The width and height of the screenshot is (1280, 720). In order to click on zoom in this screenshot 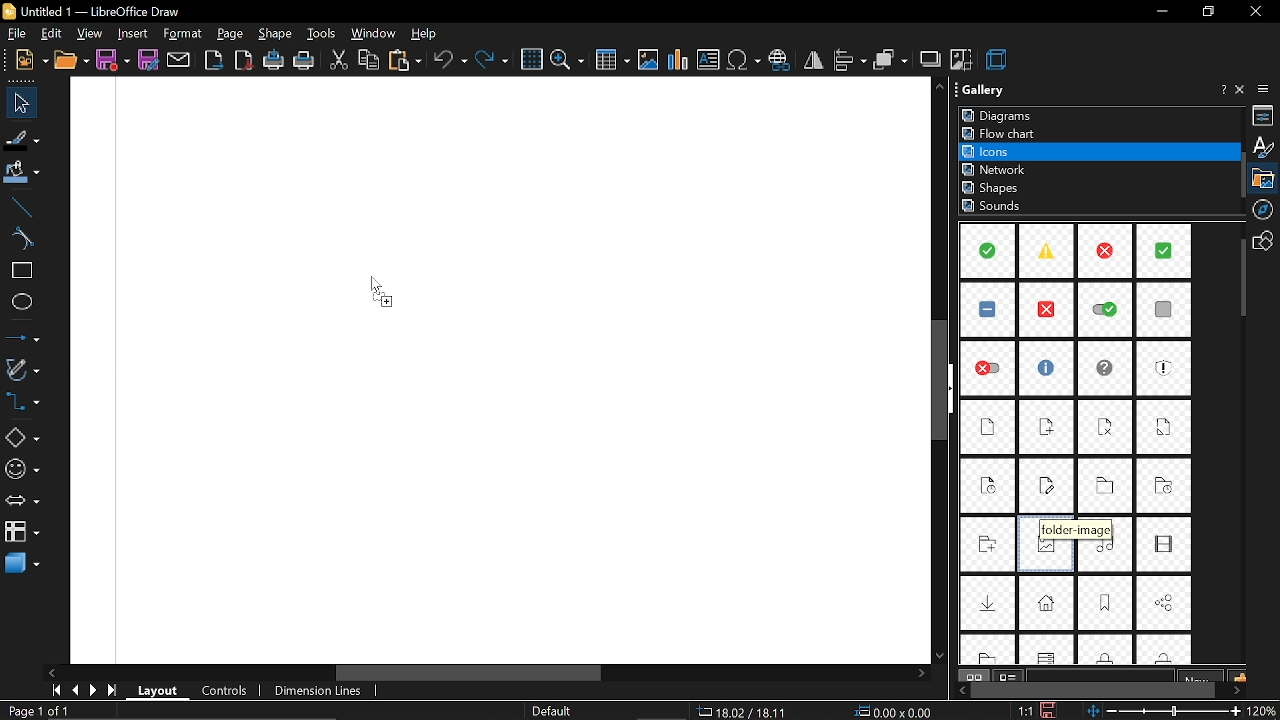, I will do `click(567, 61)`.